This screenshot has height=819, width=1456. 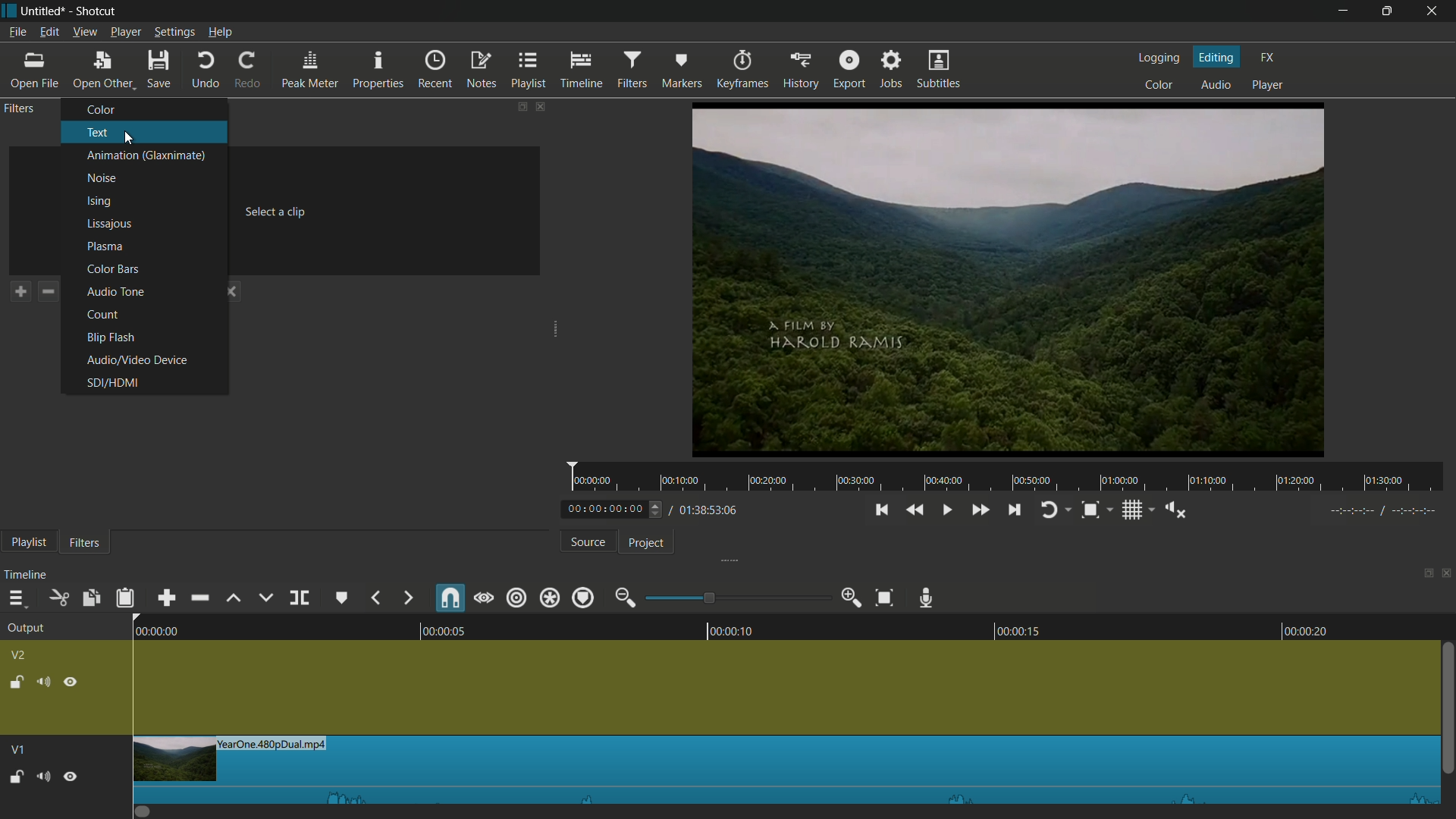 What do you see at coordinates (174, 32) in the screenshot?
I see `settings menu` at bounding box center [174, 32].